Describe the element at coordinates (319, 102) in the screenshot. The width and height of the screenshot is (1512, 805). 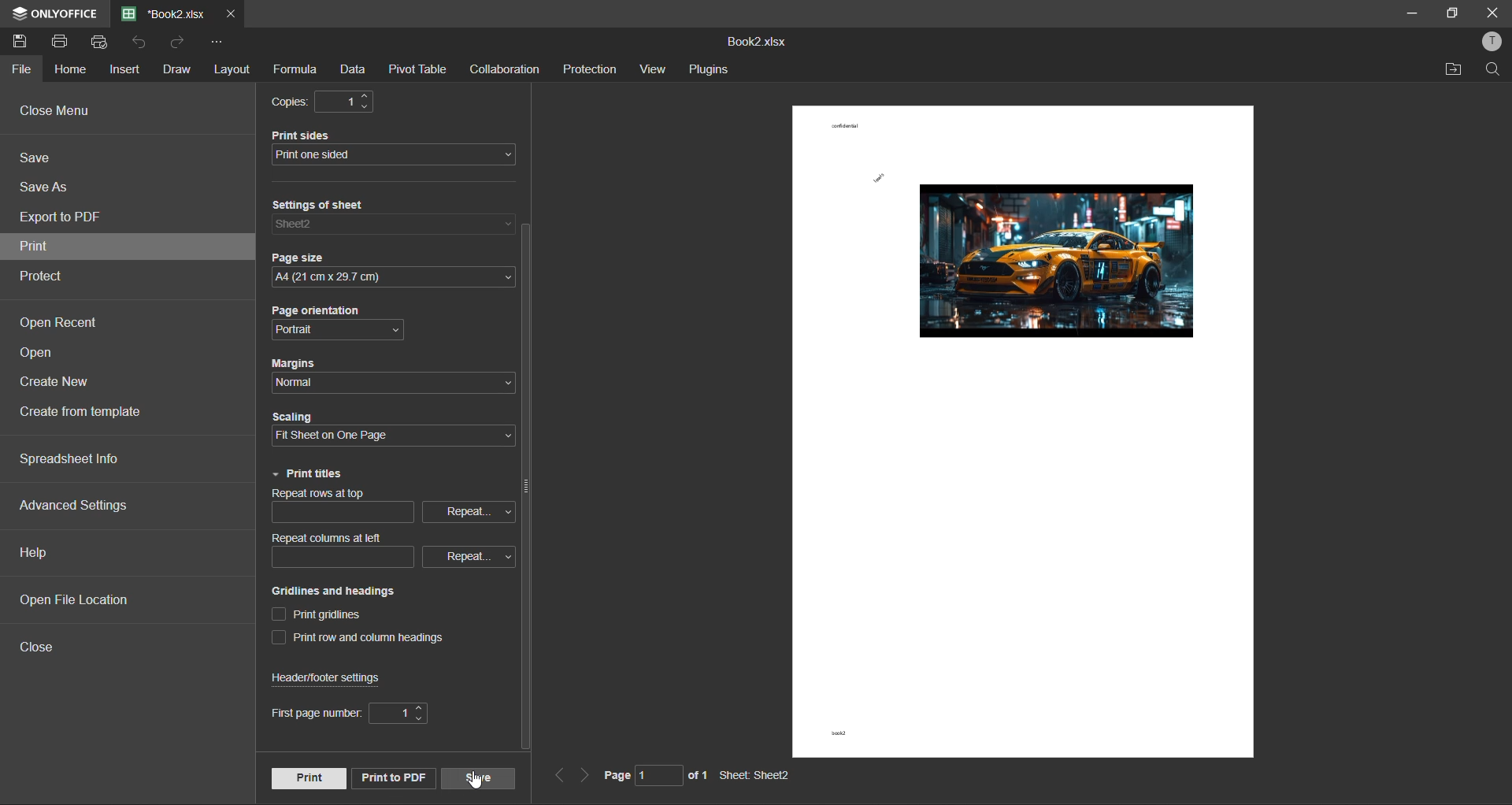
I see `copies` at that location.